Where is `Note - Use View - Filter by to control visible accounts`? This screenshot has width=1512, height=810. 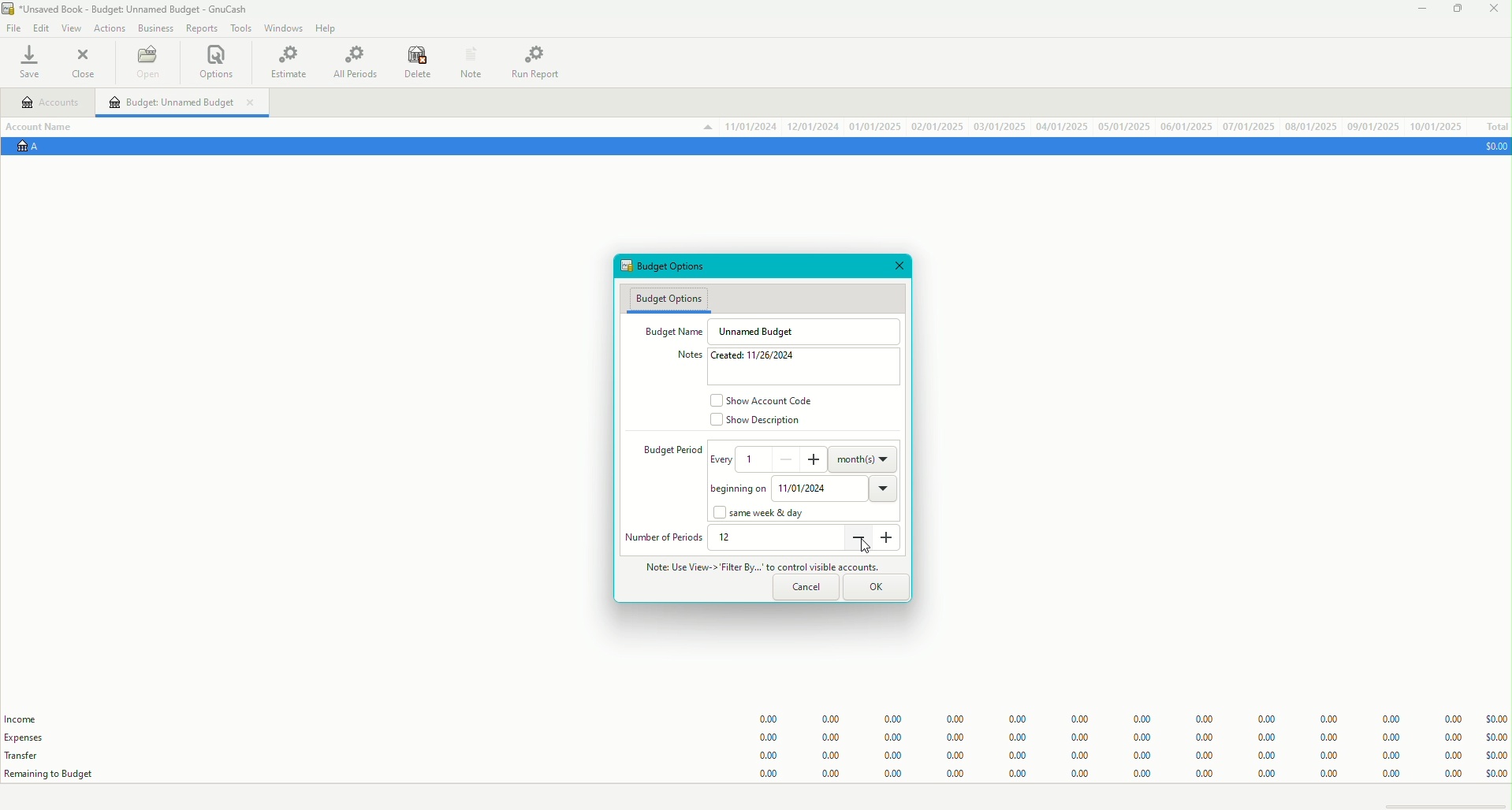 Note - Use View - Filter by to control visible accounts is located at coordinates (756, 566).